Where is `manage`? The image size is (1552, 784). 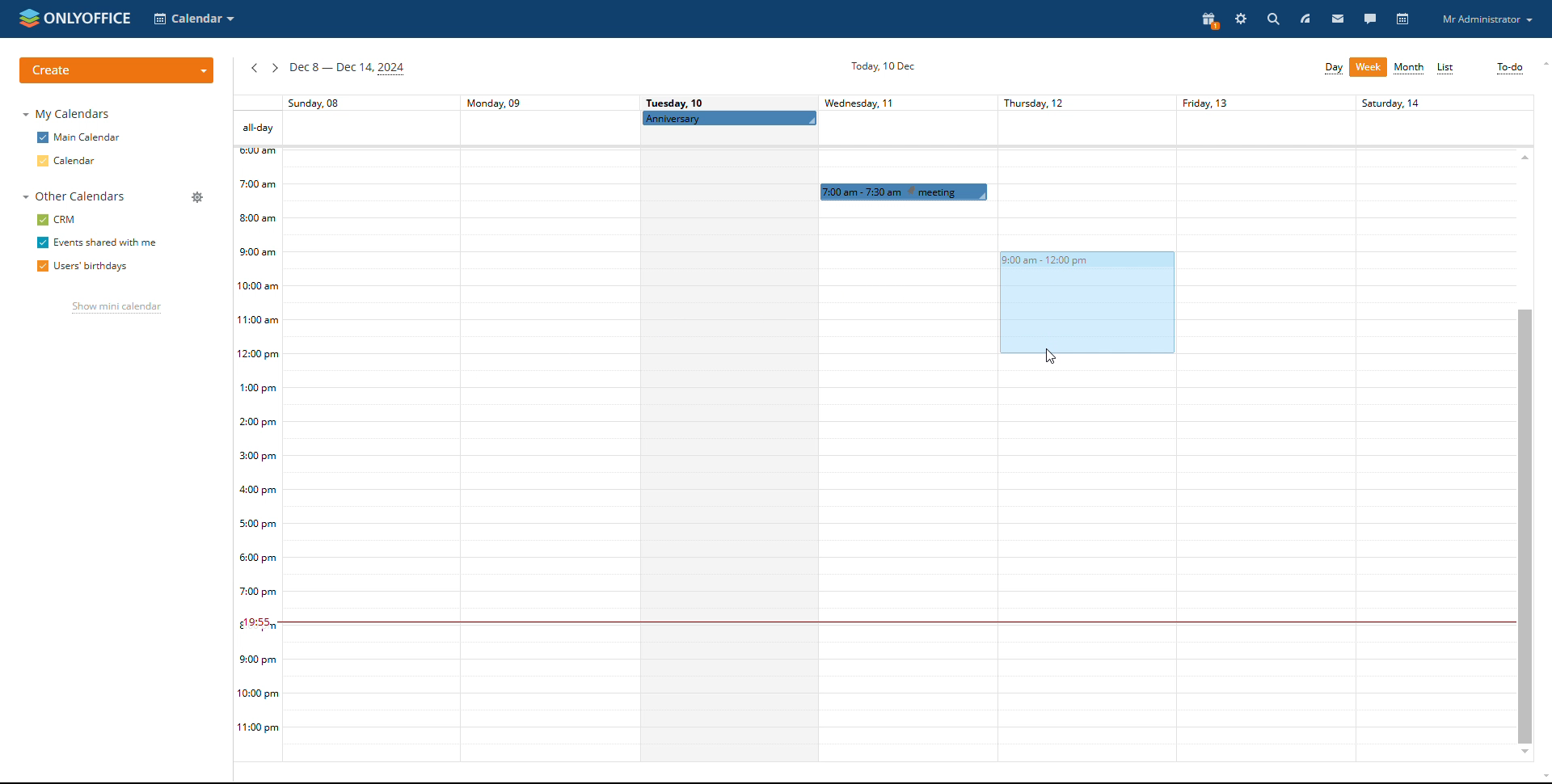
manage is located at coordinates (198, 197).